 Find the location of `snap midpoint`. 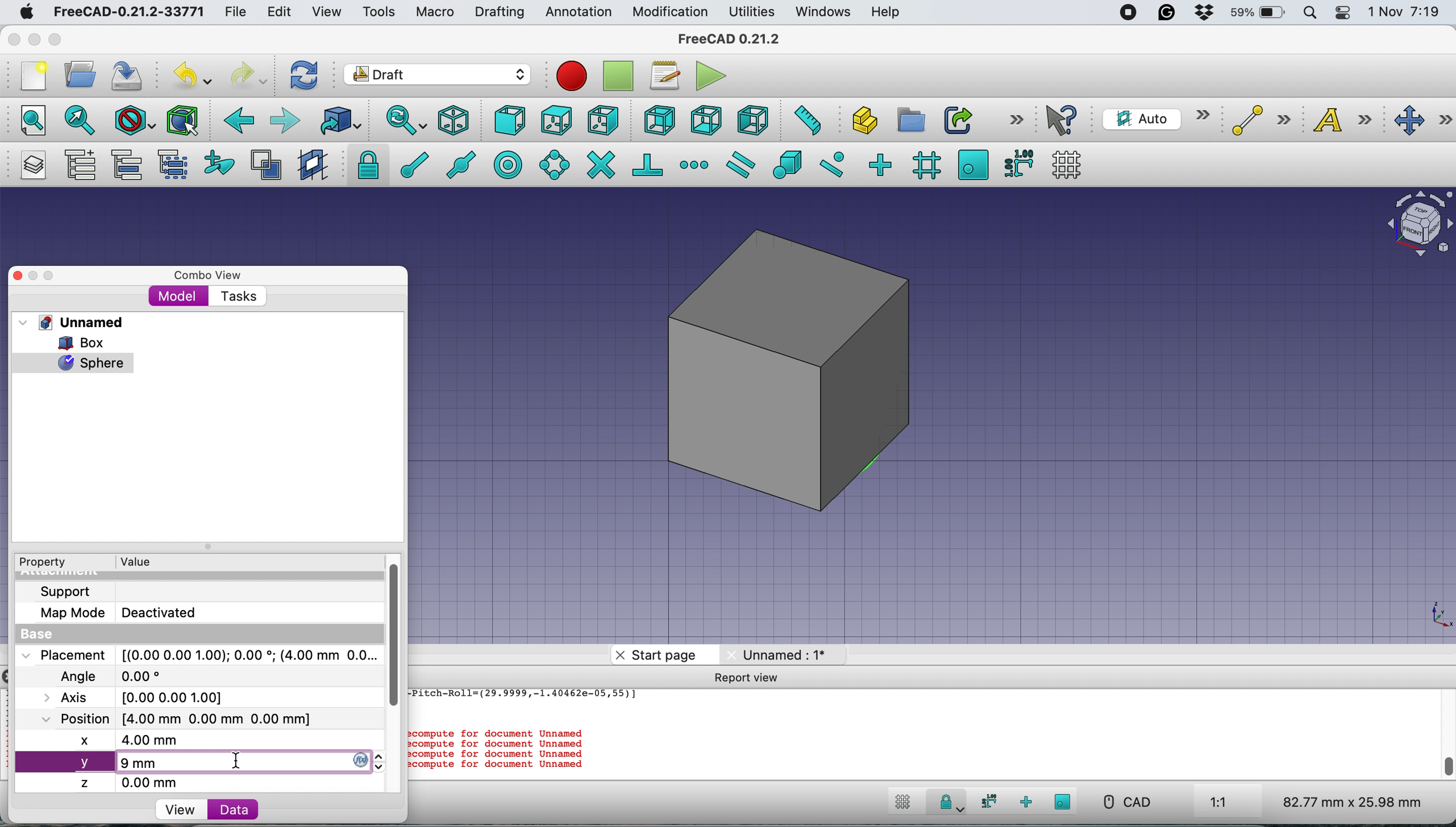

snap midpoint is located at coordinates (457, 164).